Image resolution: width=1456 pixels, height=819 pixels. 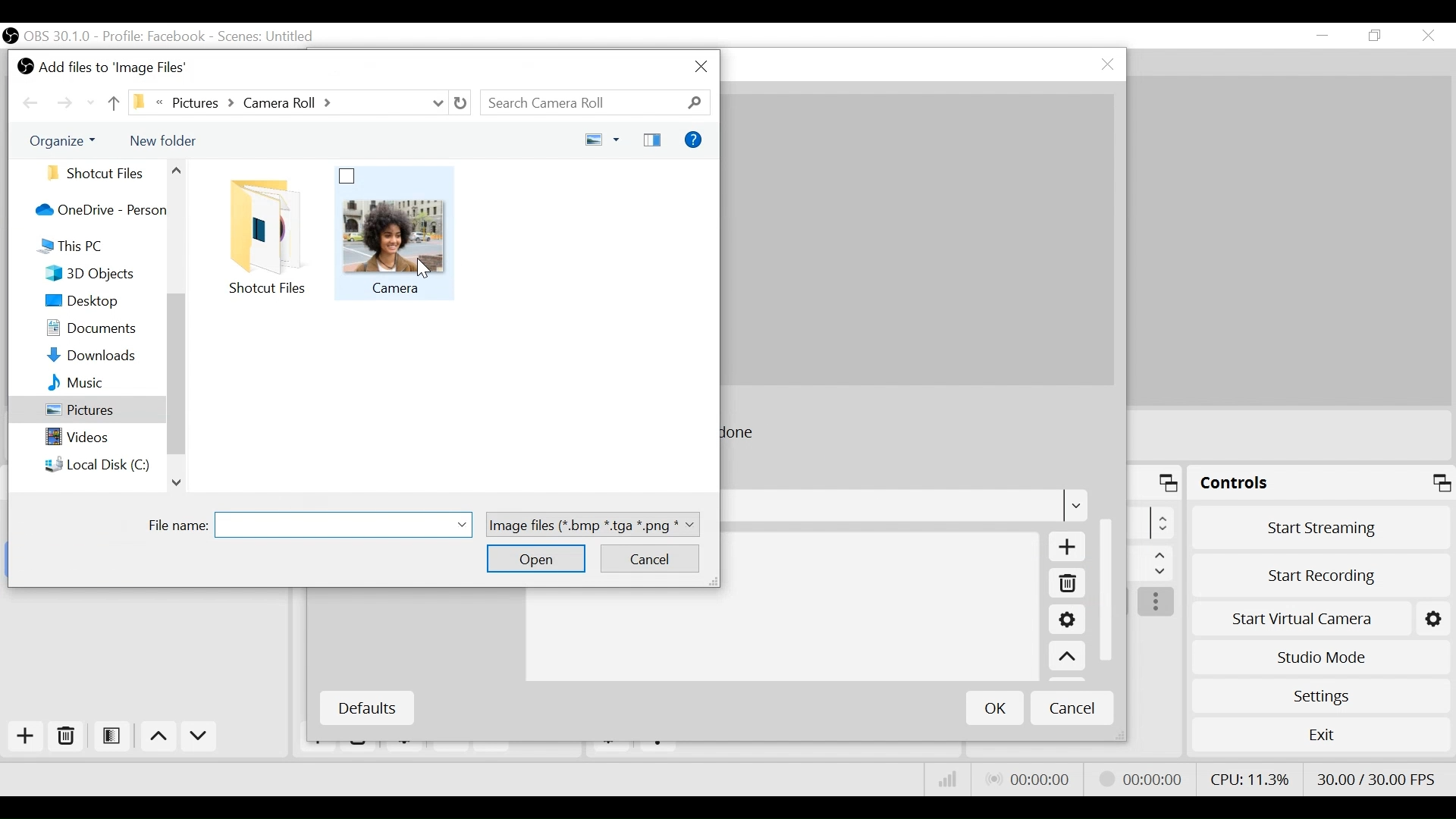 I want to click on Cancel, so click(x=1072, y=707).